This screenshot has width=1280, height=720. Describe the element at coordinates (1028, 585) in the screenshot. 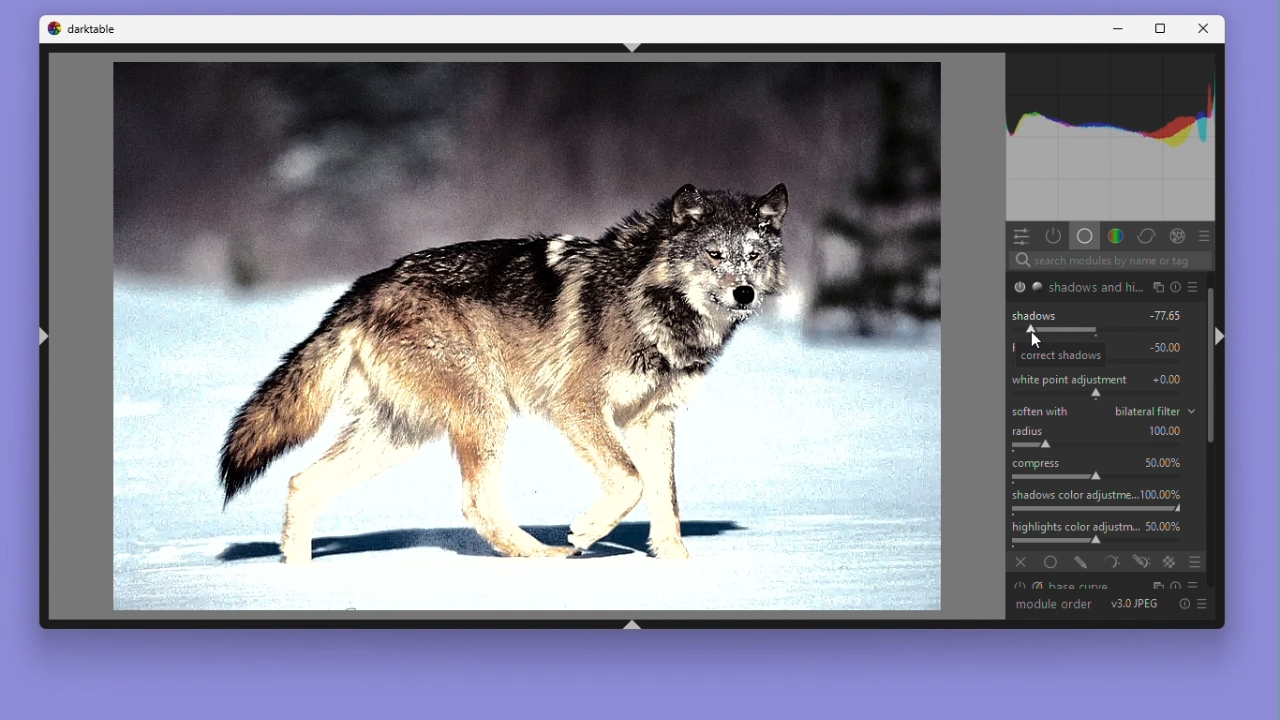

I see `'base curve' is switched on` at that location.